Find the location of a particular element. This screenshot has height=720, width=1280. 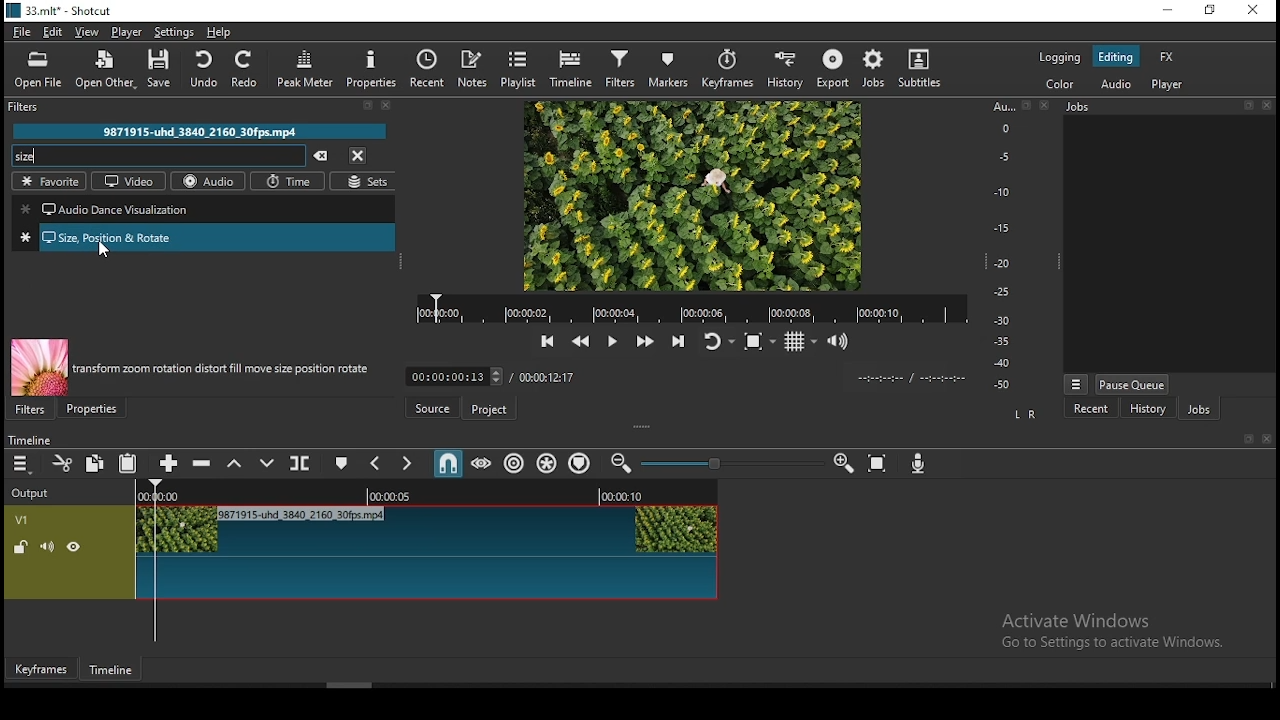

timeline is located at coordinates (111, 673).